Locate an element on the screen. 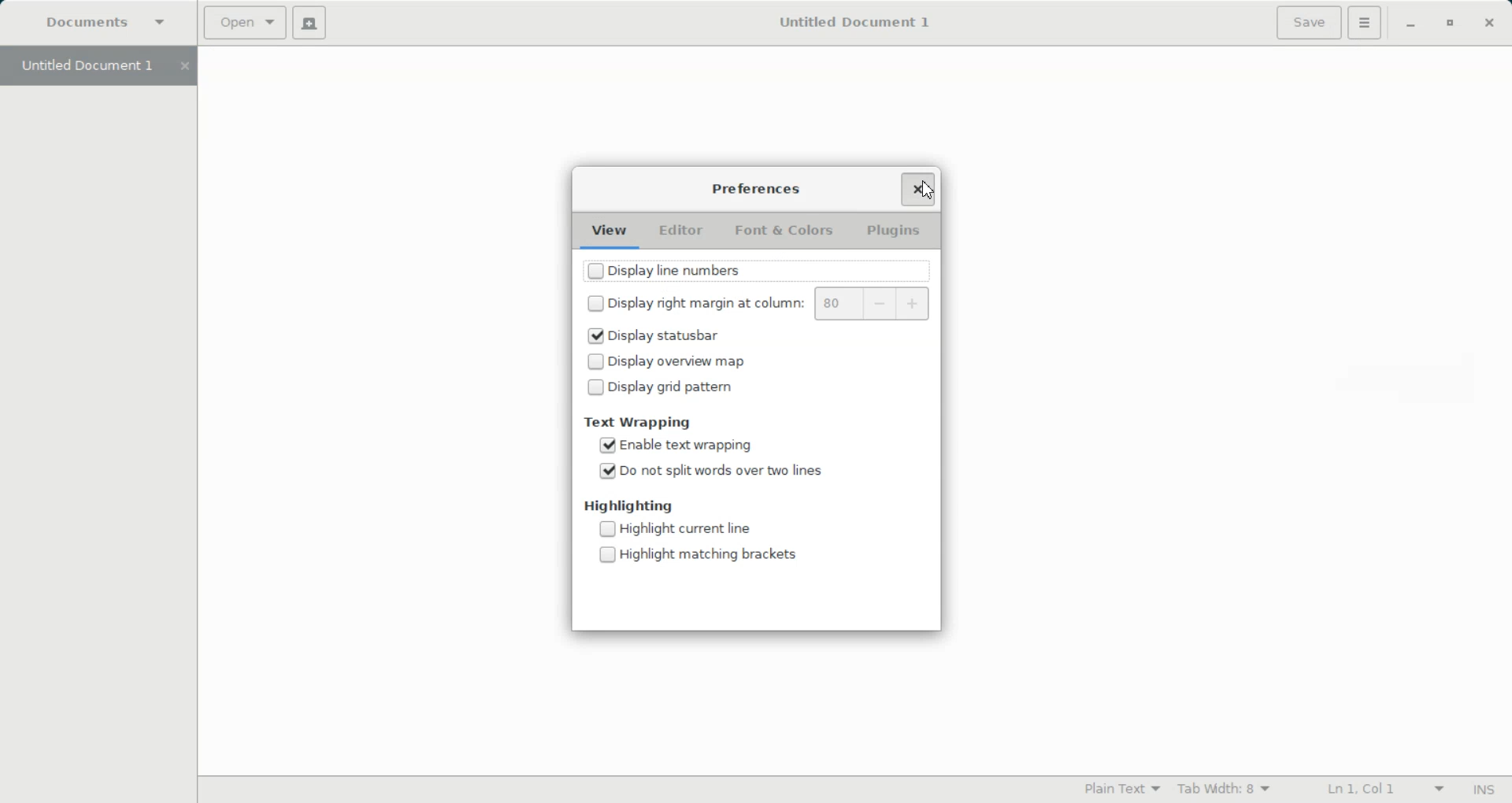 This screenshot has width=1512, height=803. Close is located at coordinates (1488, 24).